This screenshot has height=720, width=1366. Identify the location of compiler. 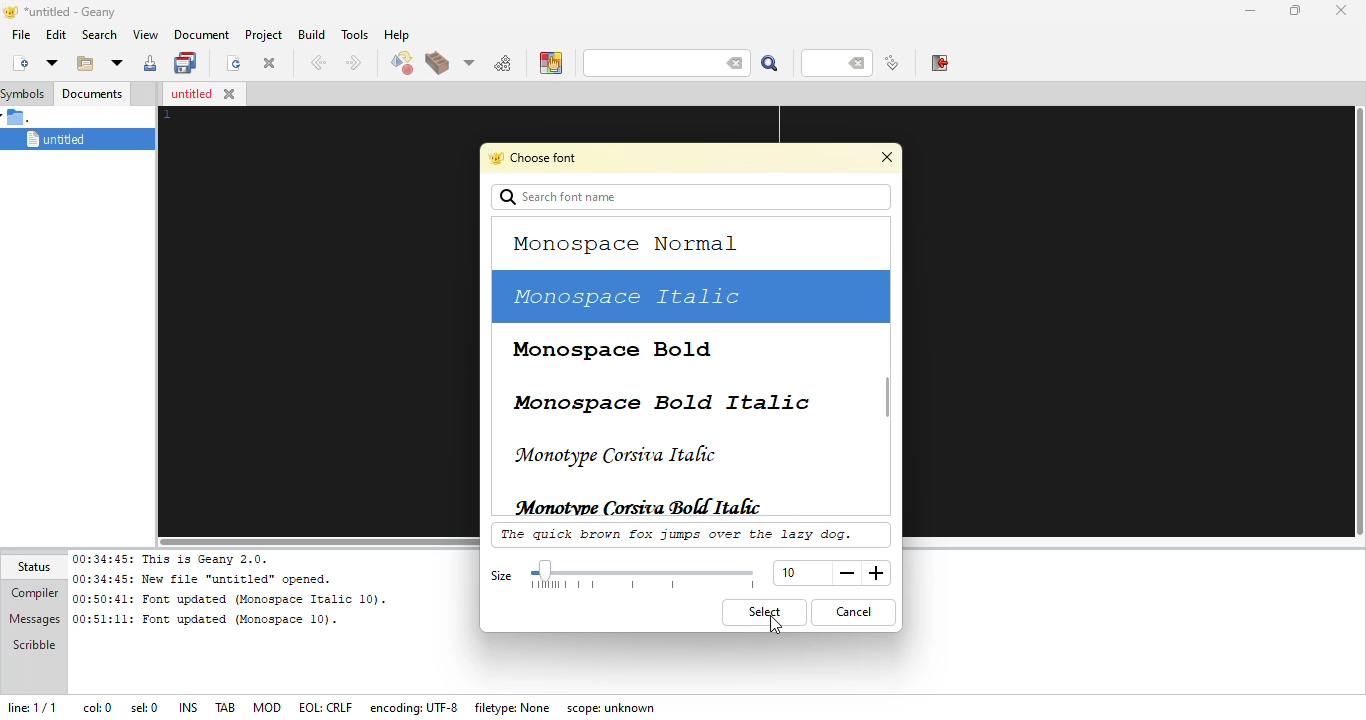
(34, 593).